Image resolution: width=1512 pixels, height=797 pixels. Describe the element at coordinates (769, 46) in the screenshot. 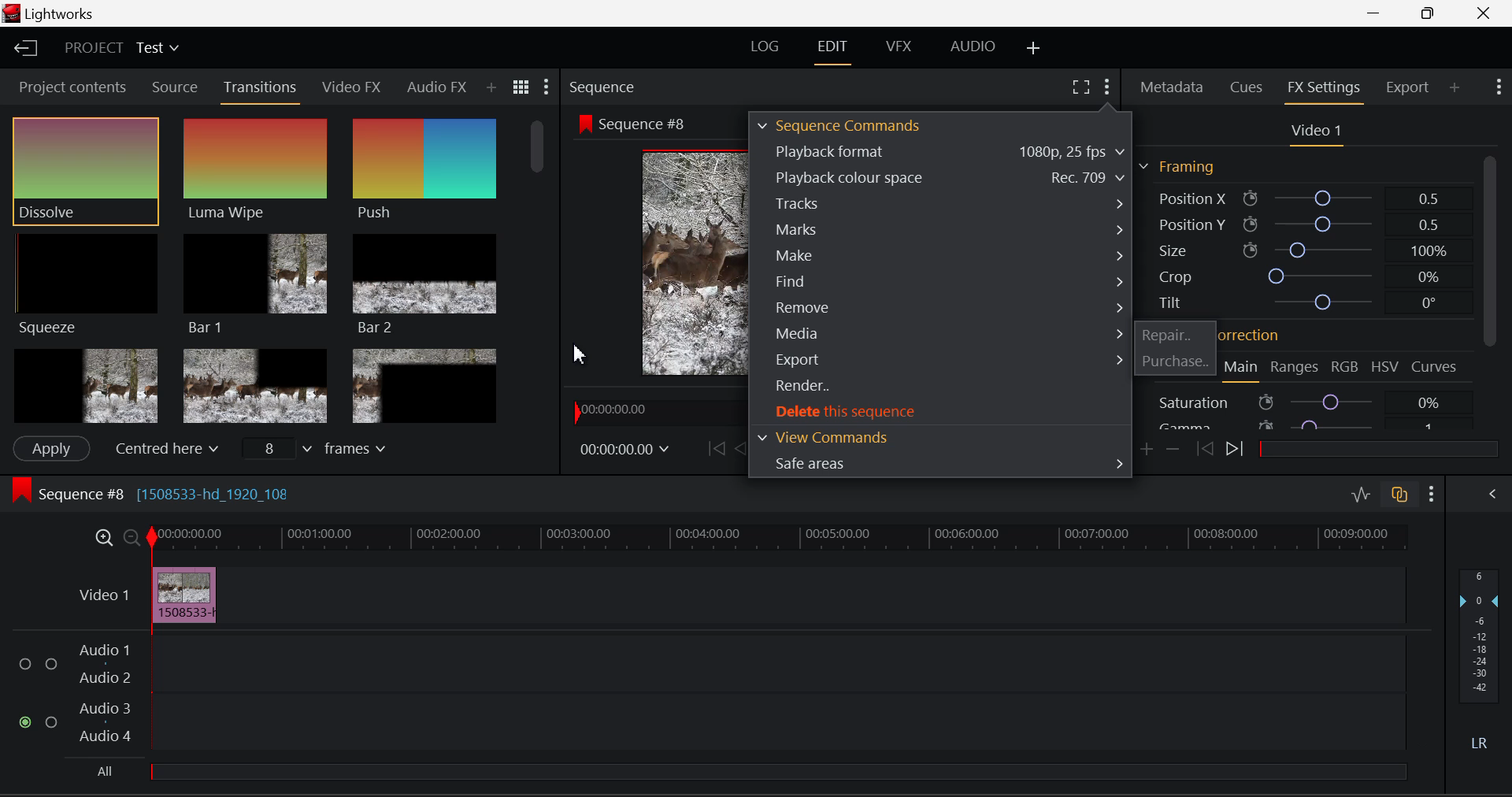

I see `LOG Layout` at that location.